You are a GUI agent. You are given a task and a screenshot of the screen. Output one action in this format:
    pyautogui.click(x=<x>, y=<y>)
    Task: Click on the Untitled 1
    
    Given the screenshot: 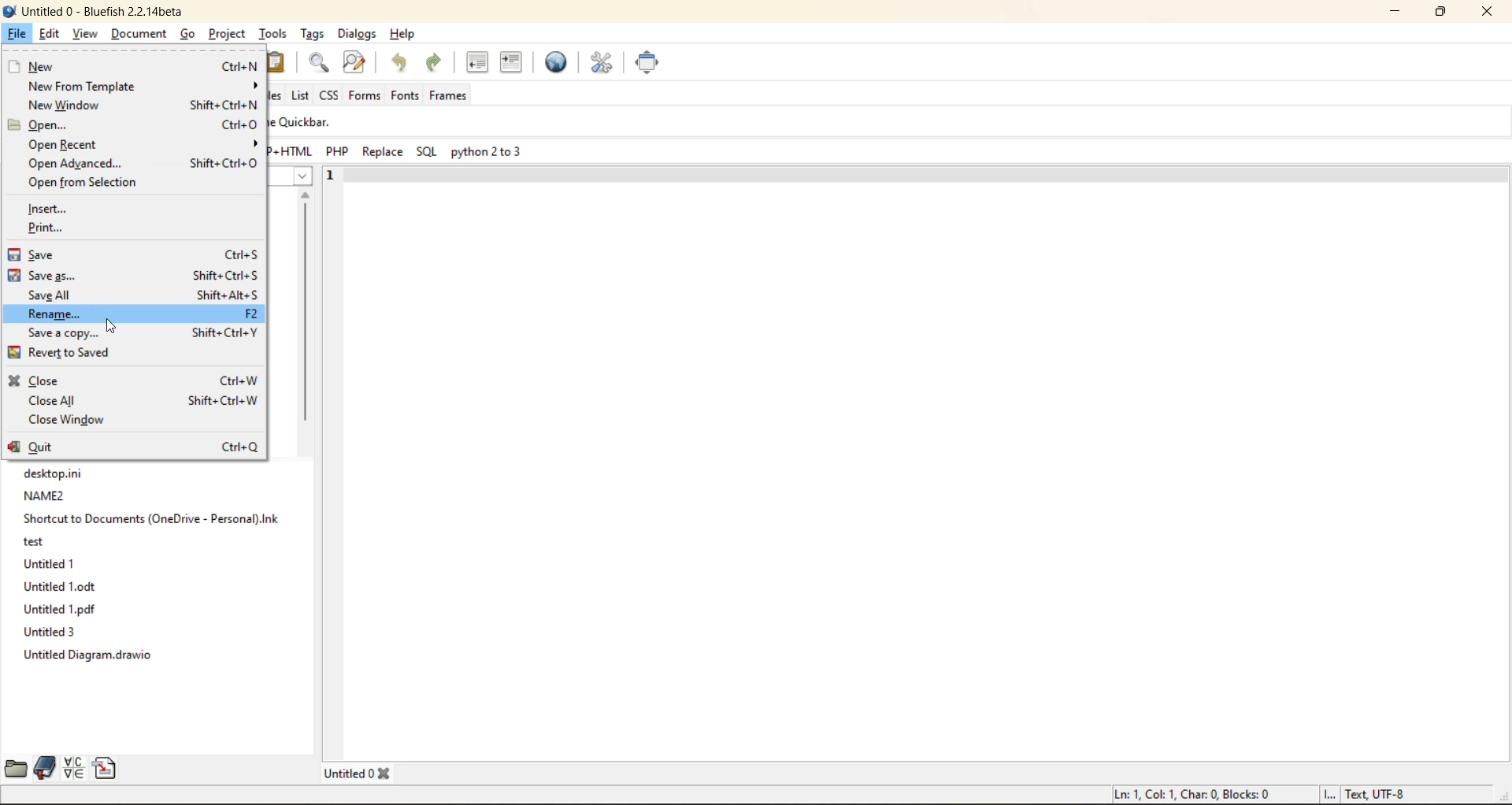 What is the action you would take?
    pyautogui.click(x=51, y=563)
    